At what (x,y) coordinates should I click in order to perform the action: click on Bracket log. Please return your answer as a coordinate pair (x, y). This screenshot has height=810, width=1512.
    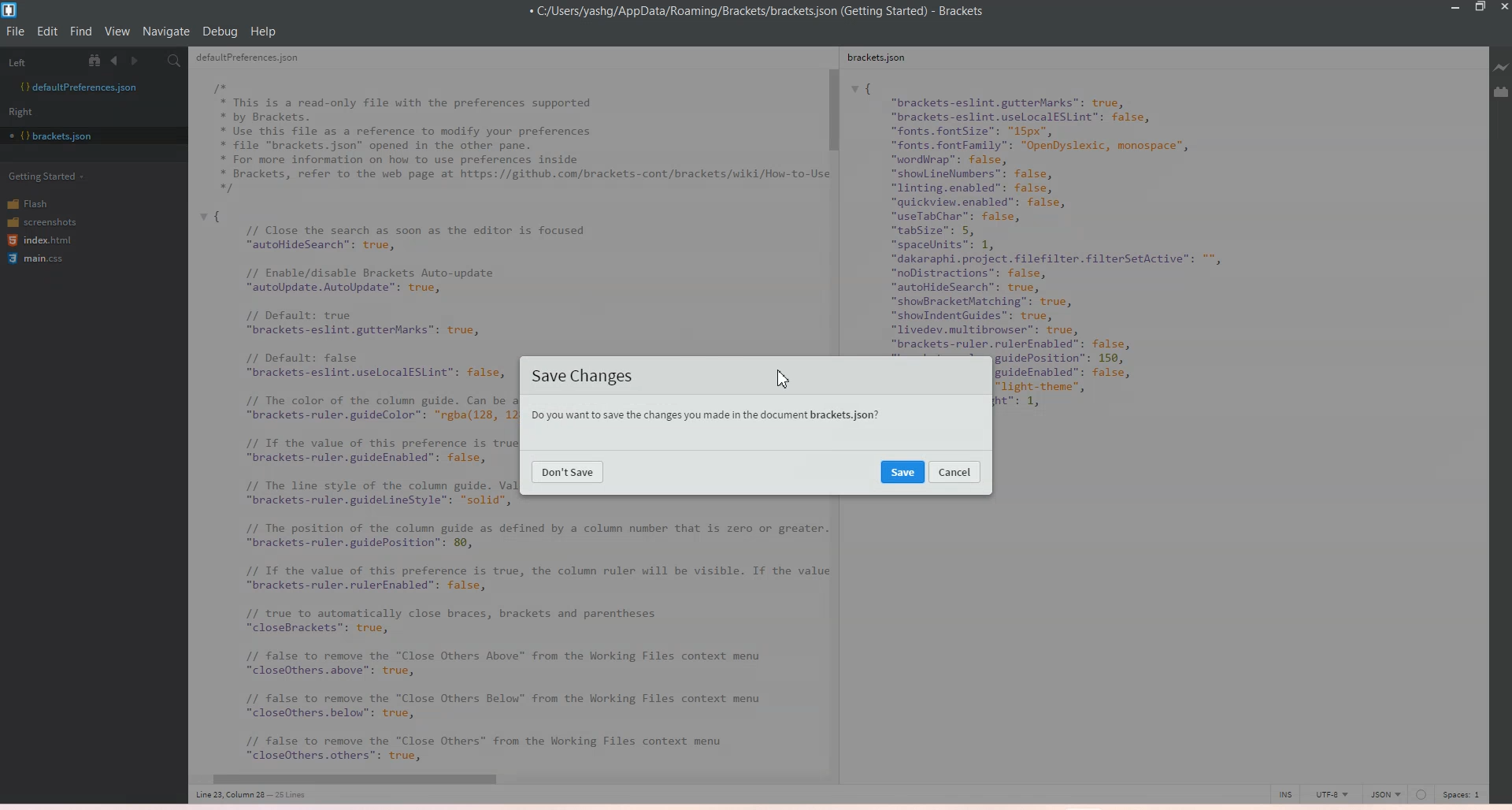
    Looking at the image, I should click on (11, 10).